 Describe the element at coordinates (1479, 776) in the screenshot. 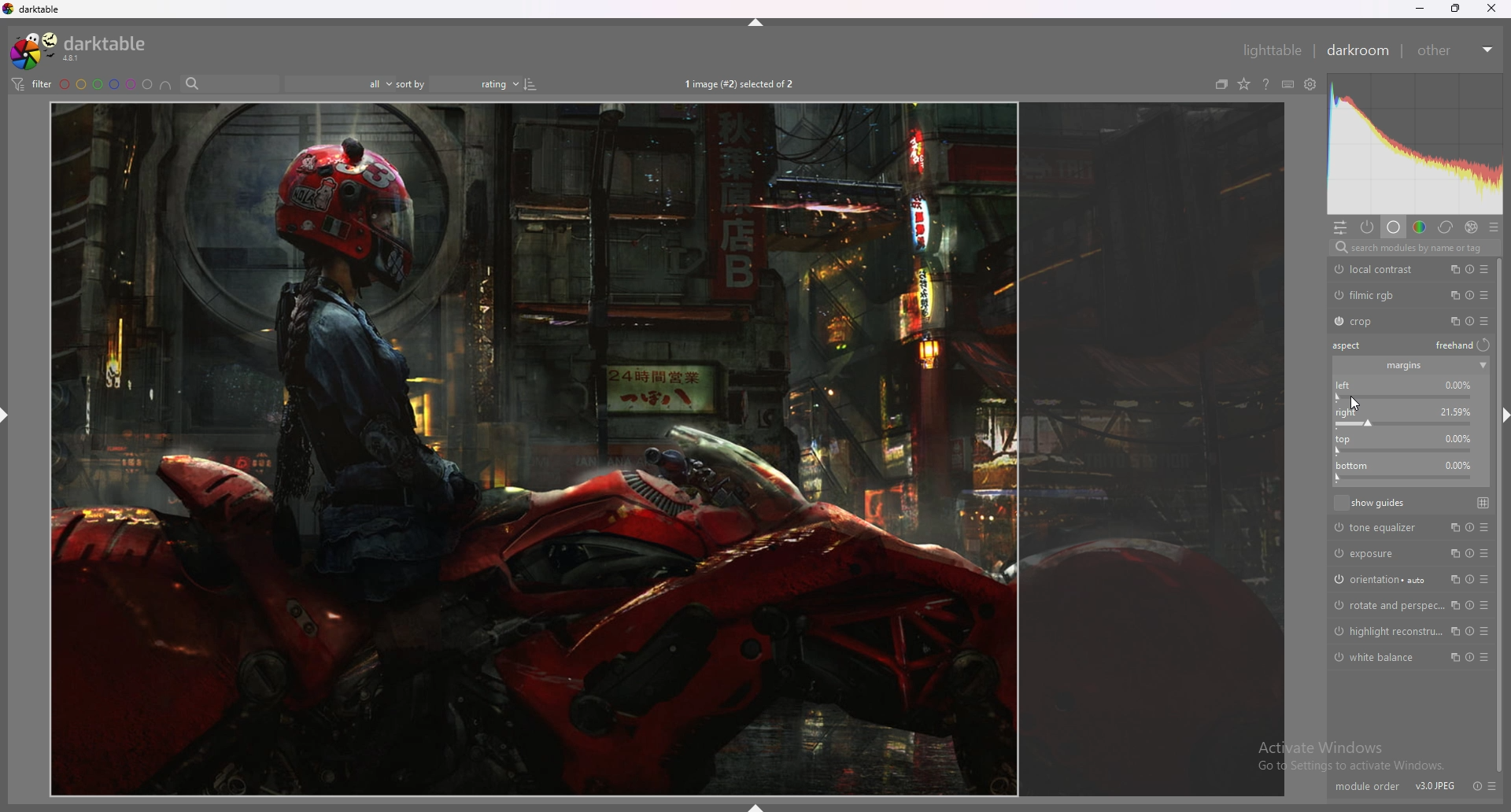

I see `reset` at that location.